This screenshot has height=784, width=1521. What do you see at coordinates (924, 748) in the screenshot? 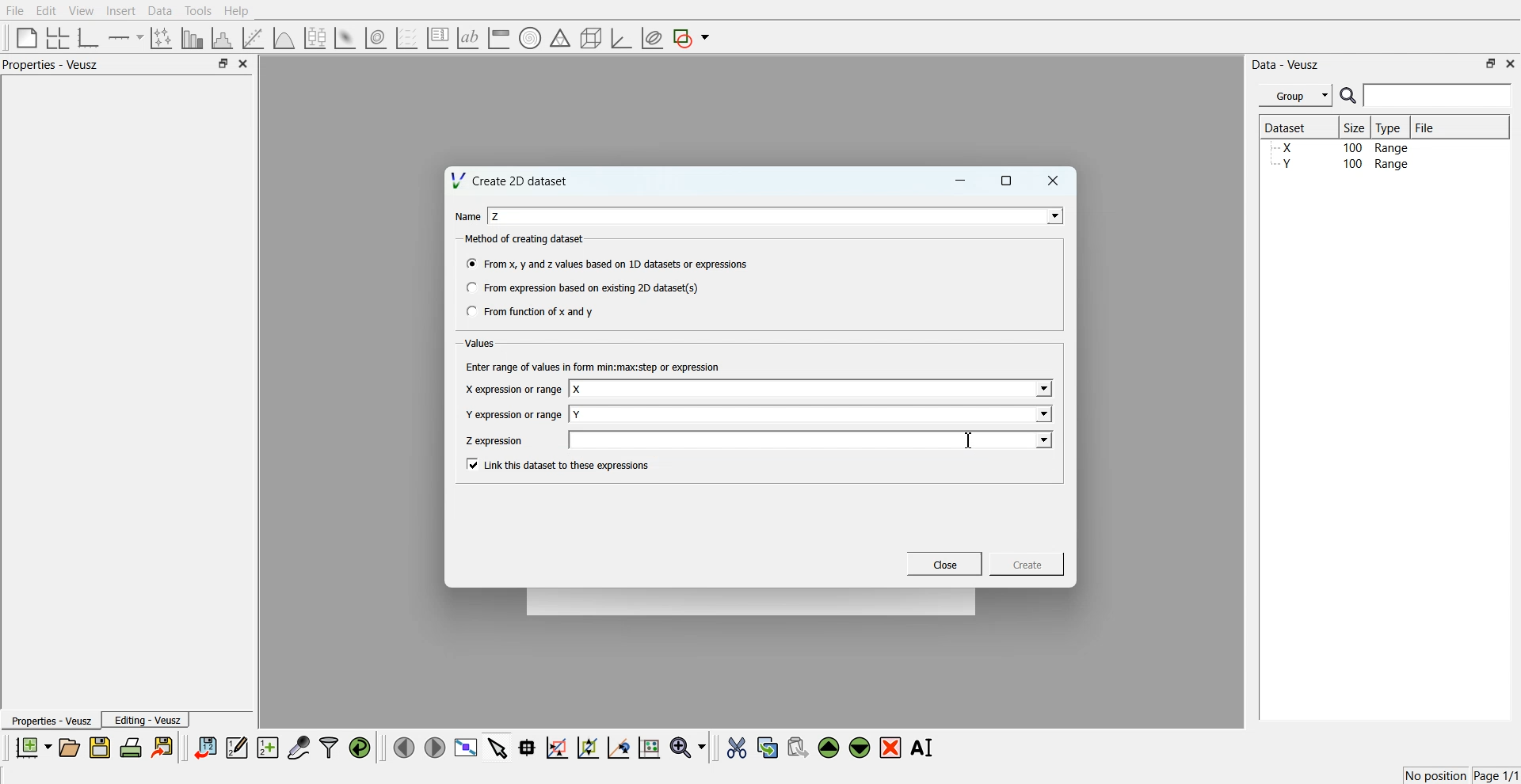
I see `Rename the selected widget` at bounding box center [924, 748].